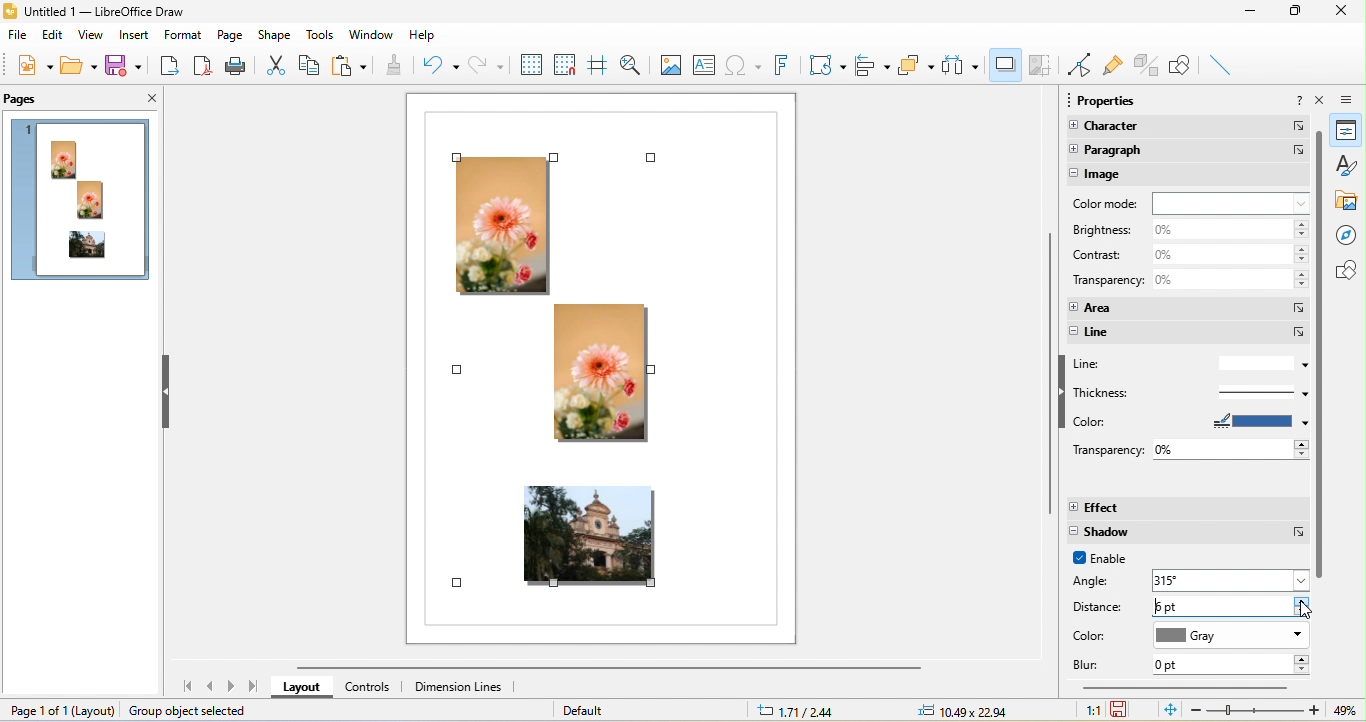 This screenshot has width=1366, height=722. Describe the element at coordinates (1147, 64) in the screenshot. I see `toggle extrusion` at that location.